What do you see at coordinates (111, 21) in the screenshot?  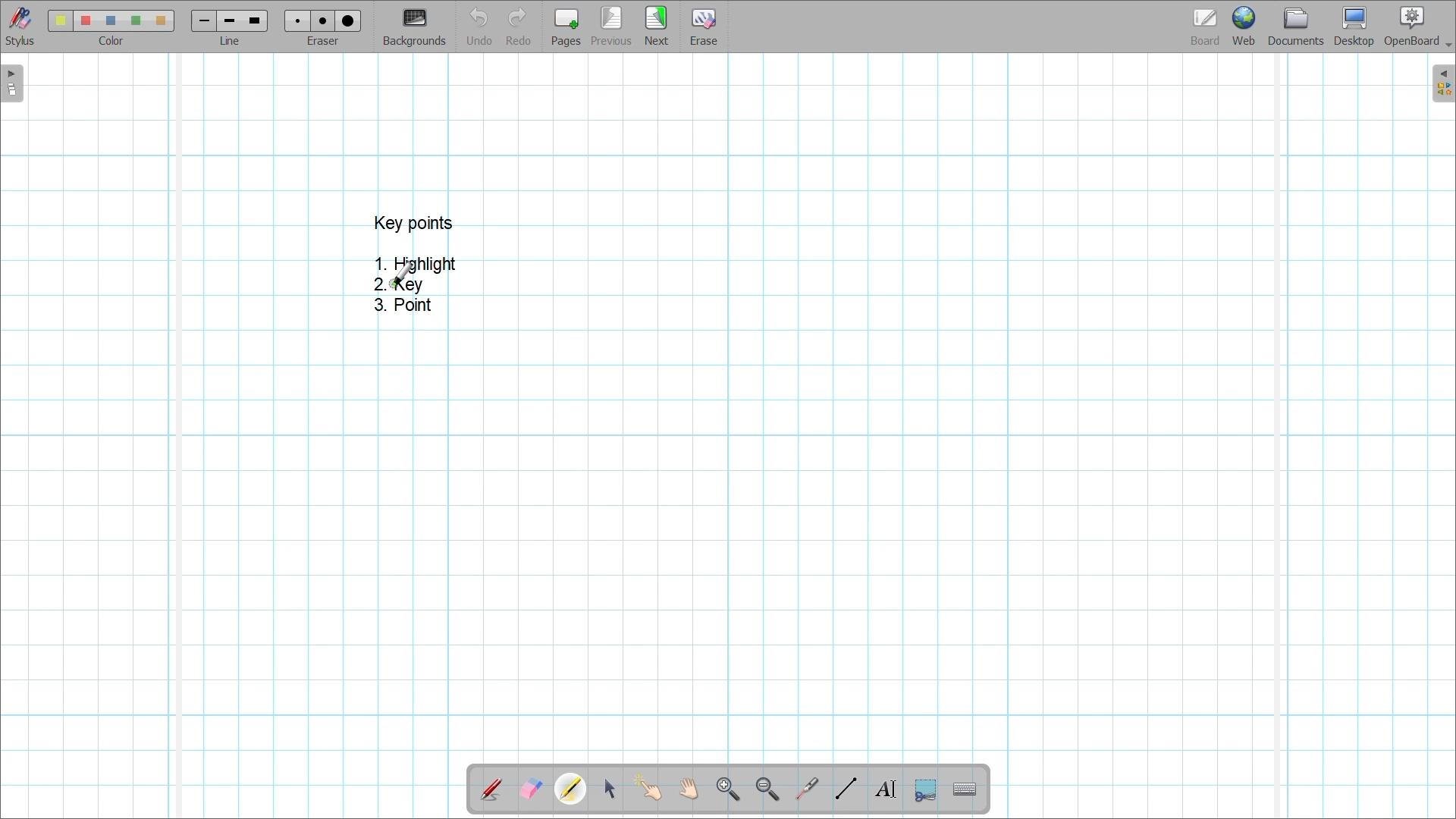 I see `color3` at bounding box center [111, 21].